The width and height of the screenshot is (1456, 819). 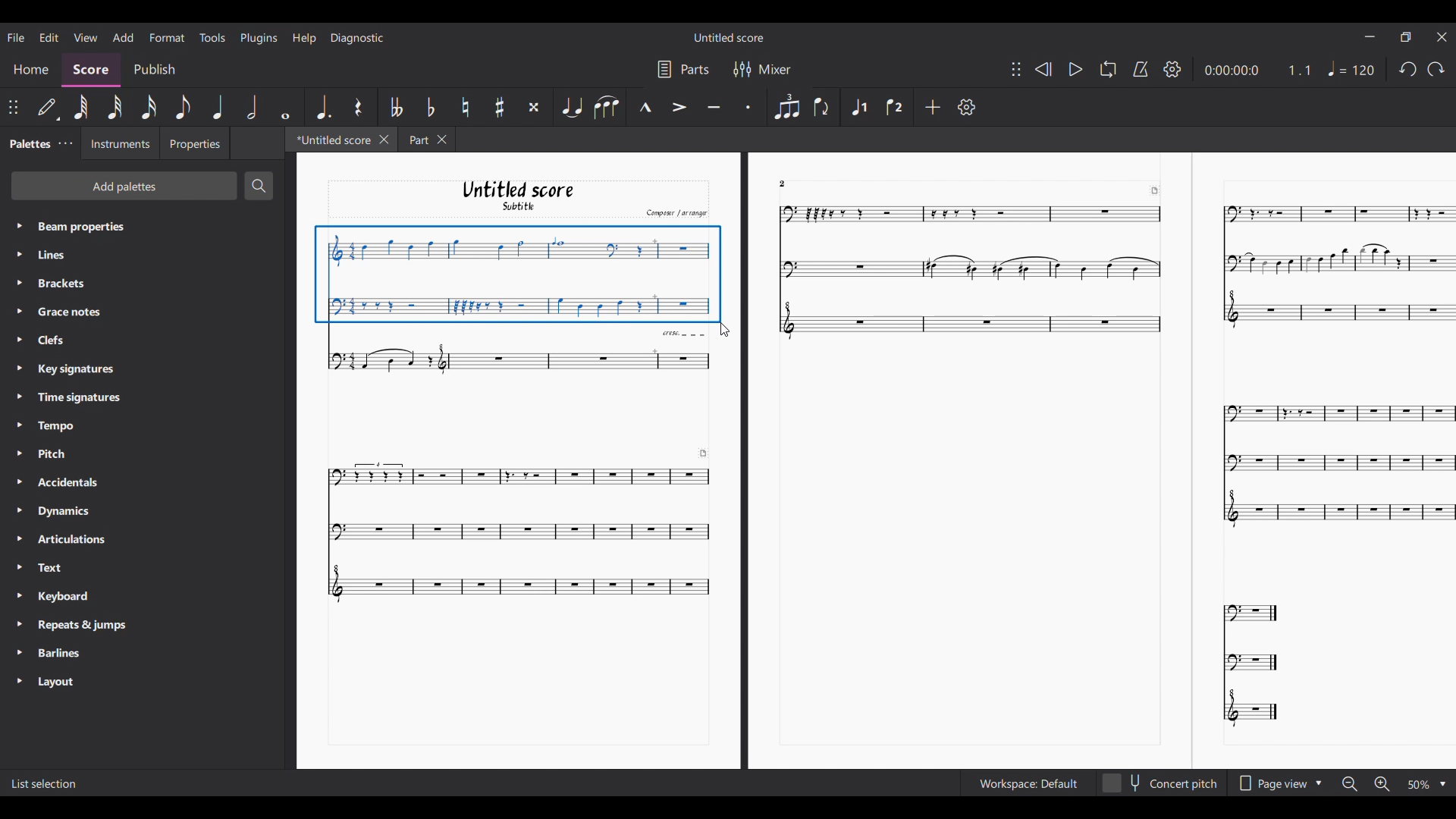 What do you see at coordinates (775, 69) in the screenshot?
I see `Mixer settings` at bounding box center [775, 69].